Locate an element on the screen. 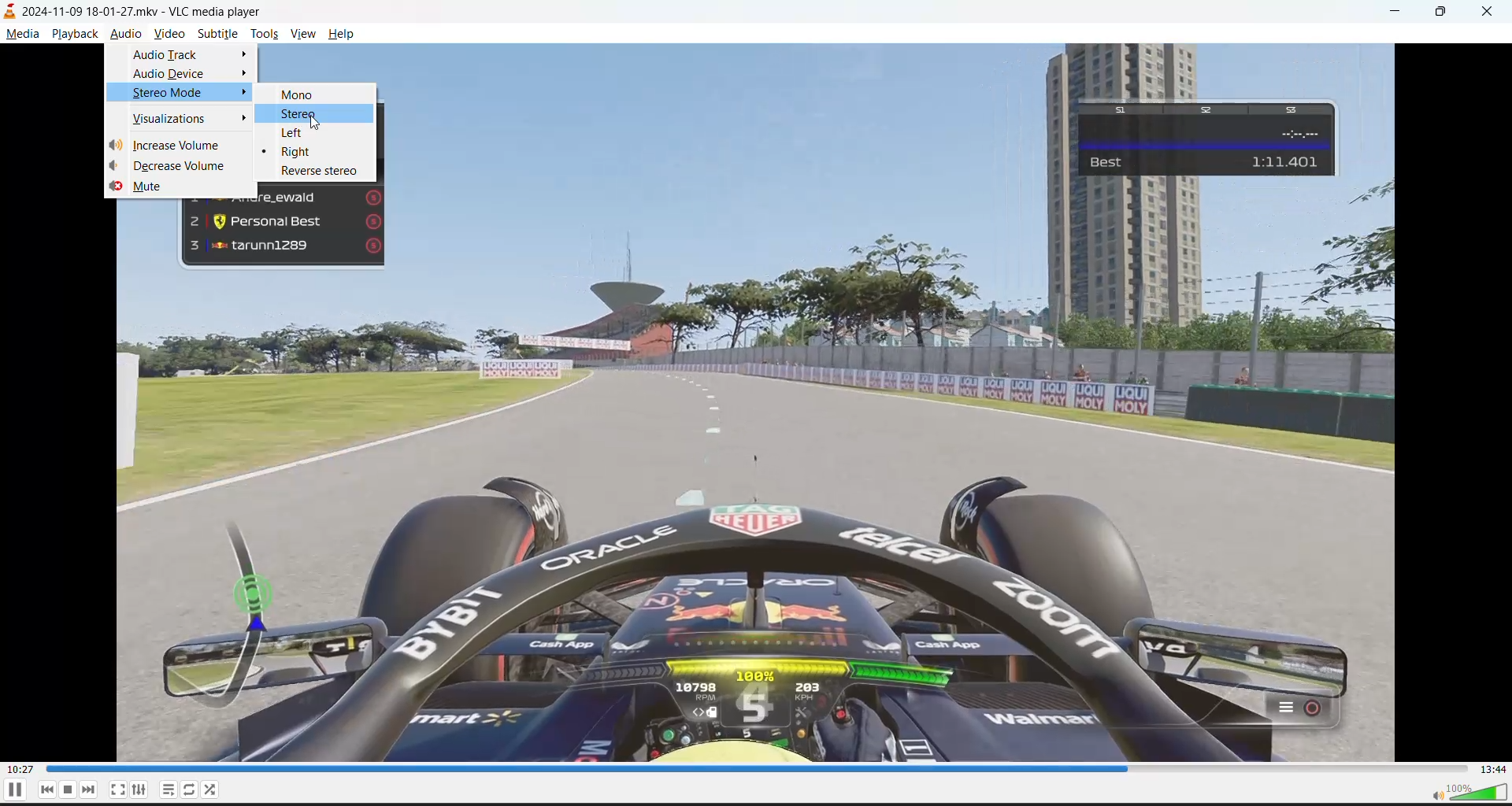  settings is located at coordinates (140, 790).